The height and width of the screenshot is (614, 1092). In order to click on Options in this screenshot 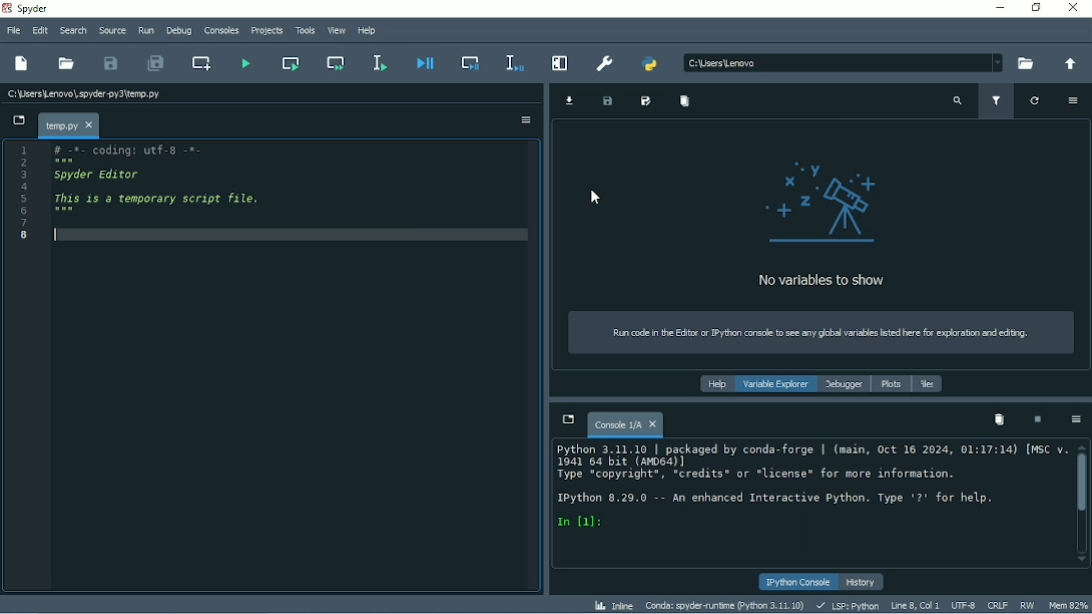, I will do `click(1075, 420)`.